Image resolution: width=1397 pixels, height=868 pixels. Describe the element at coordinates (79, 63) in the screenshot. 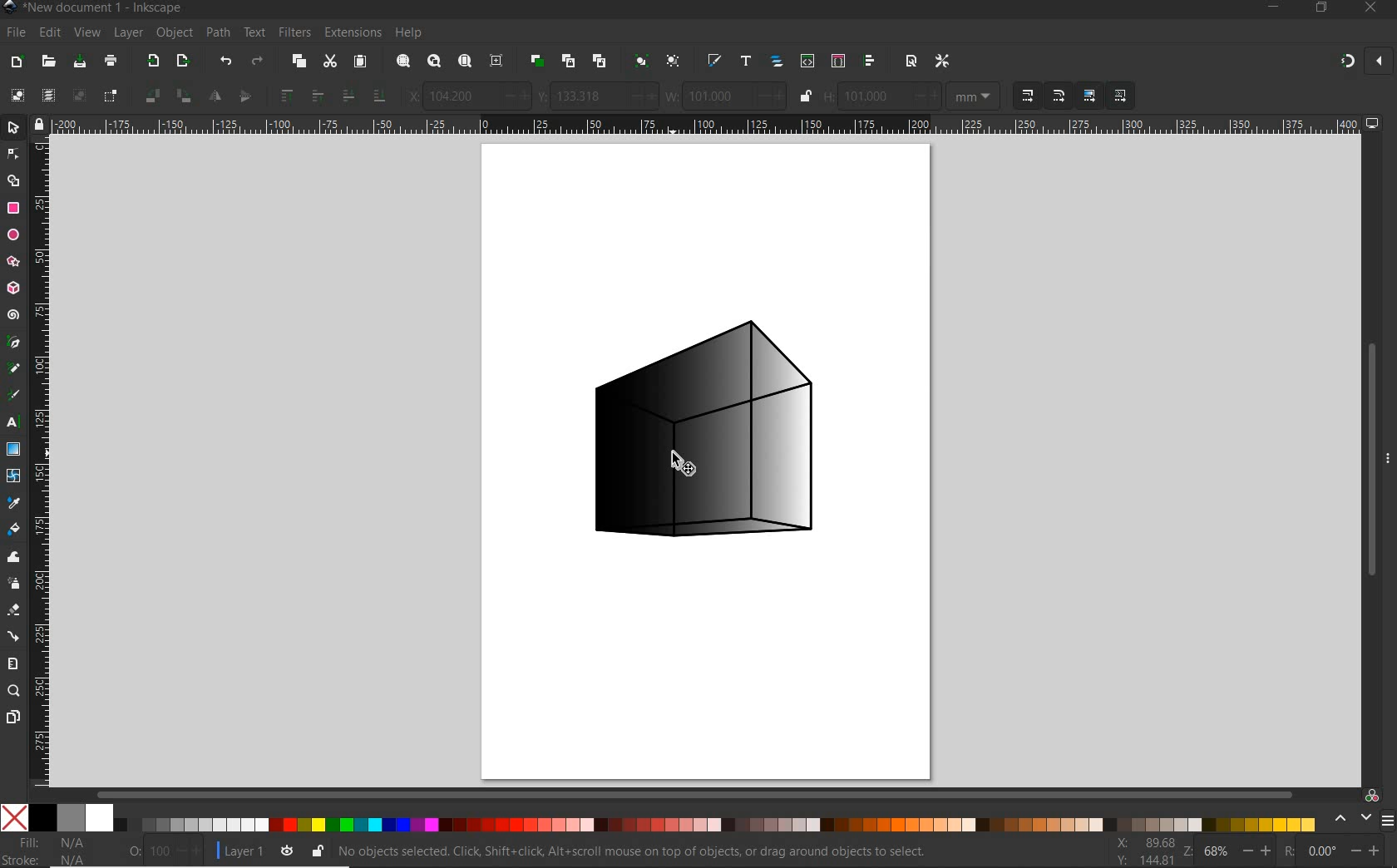

I see `SAVE` at that location.